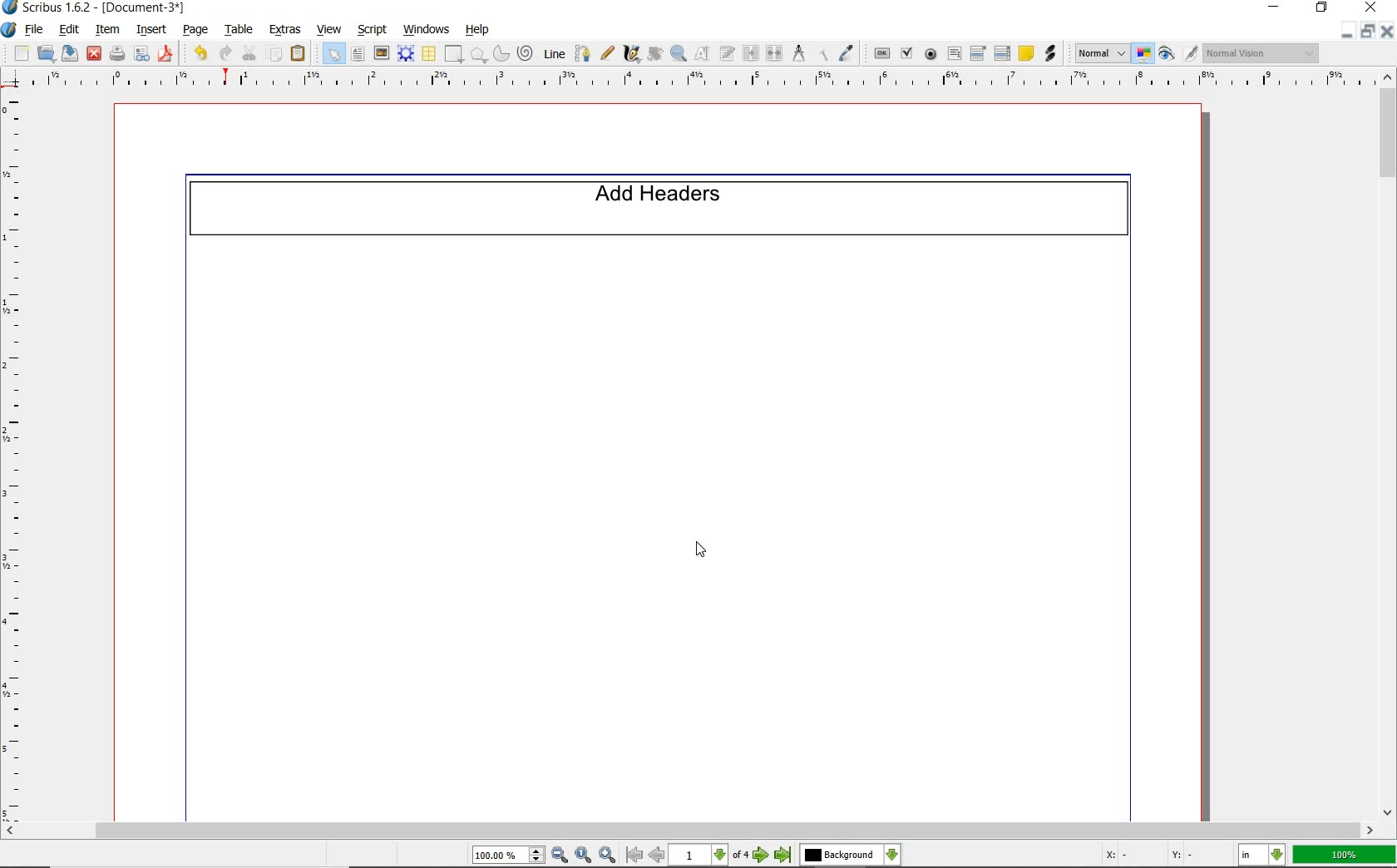  I want to click on pdf list box, so click(1004, 53).